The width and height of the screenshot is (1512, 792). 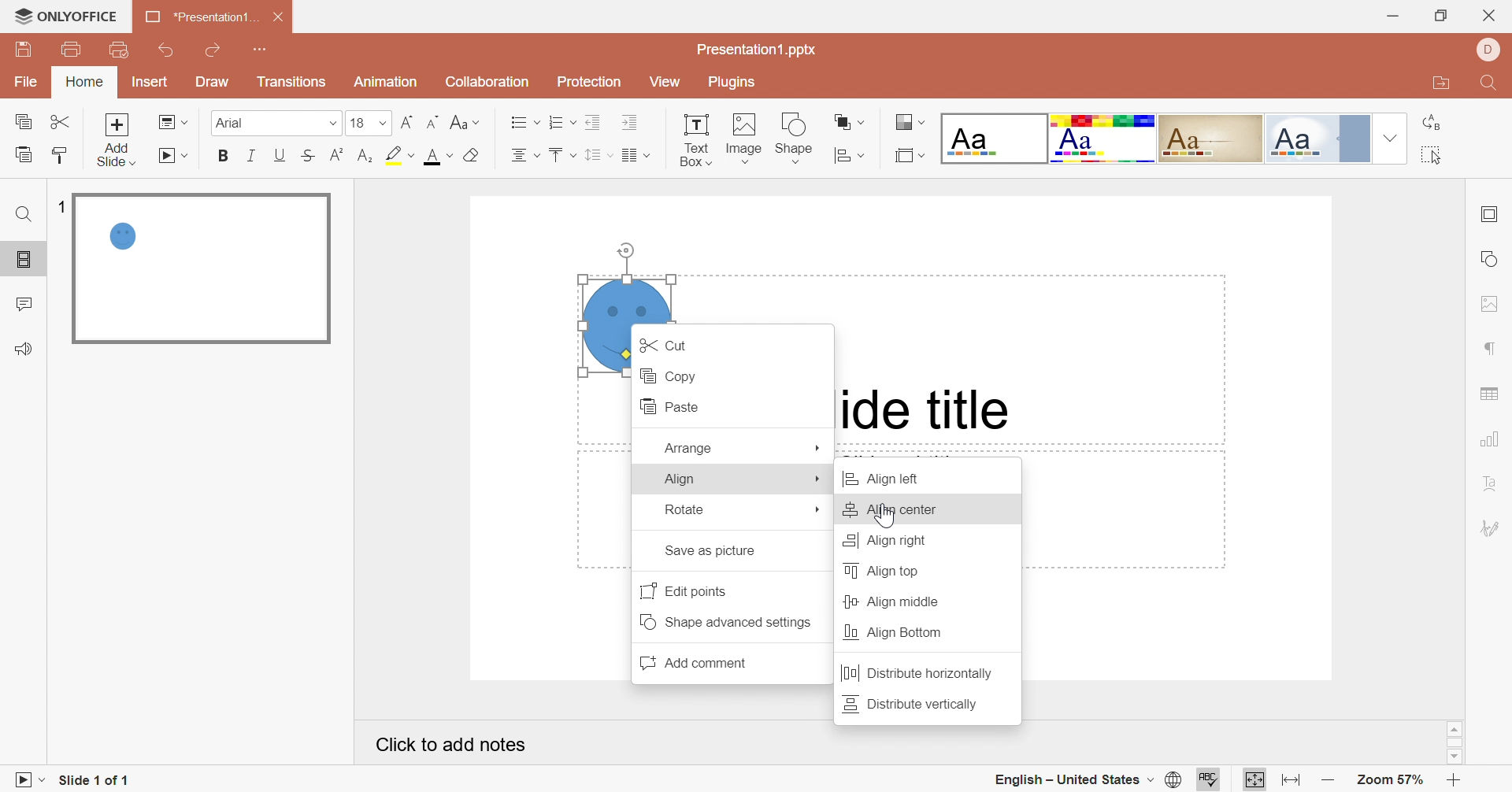 I want to click on Change case, so click(x=462, y=121).